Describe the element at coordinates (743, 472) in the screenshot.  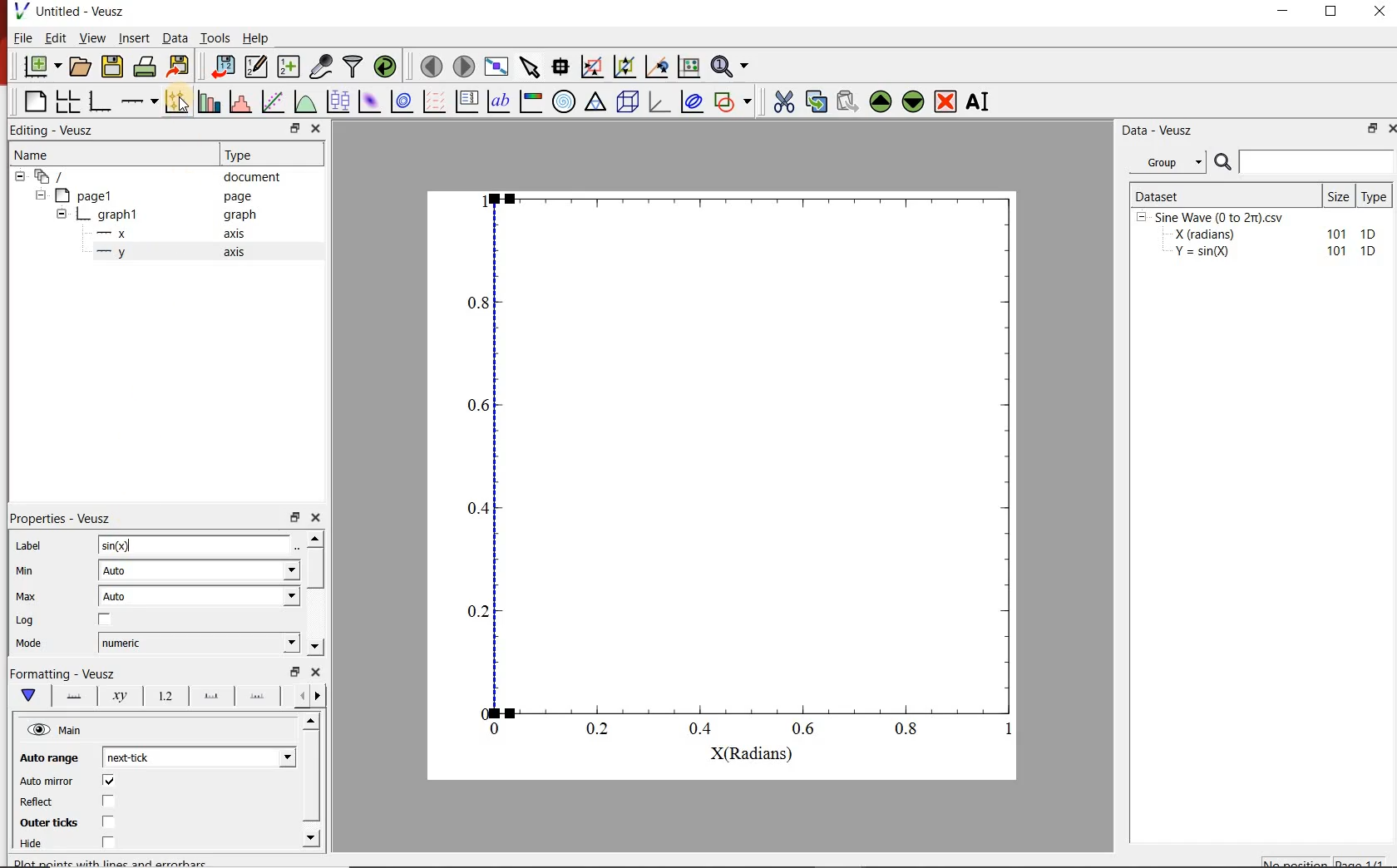
I see `BS —
0.8
0.6
0.4
0.2
0 0.2 0.4 0.6 0.8 1` at that location.